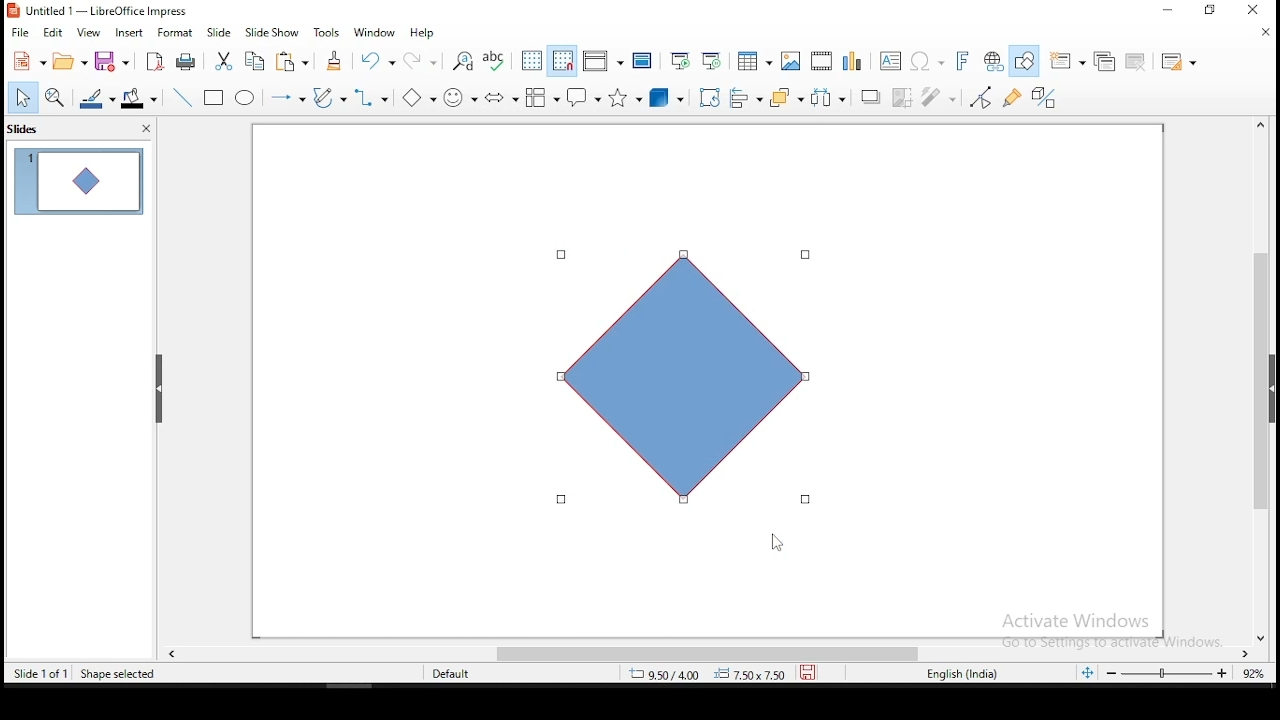  What do you see at coordinates (51, 32) in the screenshot?
I see `edit` at bounding box center [51, 32].